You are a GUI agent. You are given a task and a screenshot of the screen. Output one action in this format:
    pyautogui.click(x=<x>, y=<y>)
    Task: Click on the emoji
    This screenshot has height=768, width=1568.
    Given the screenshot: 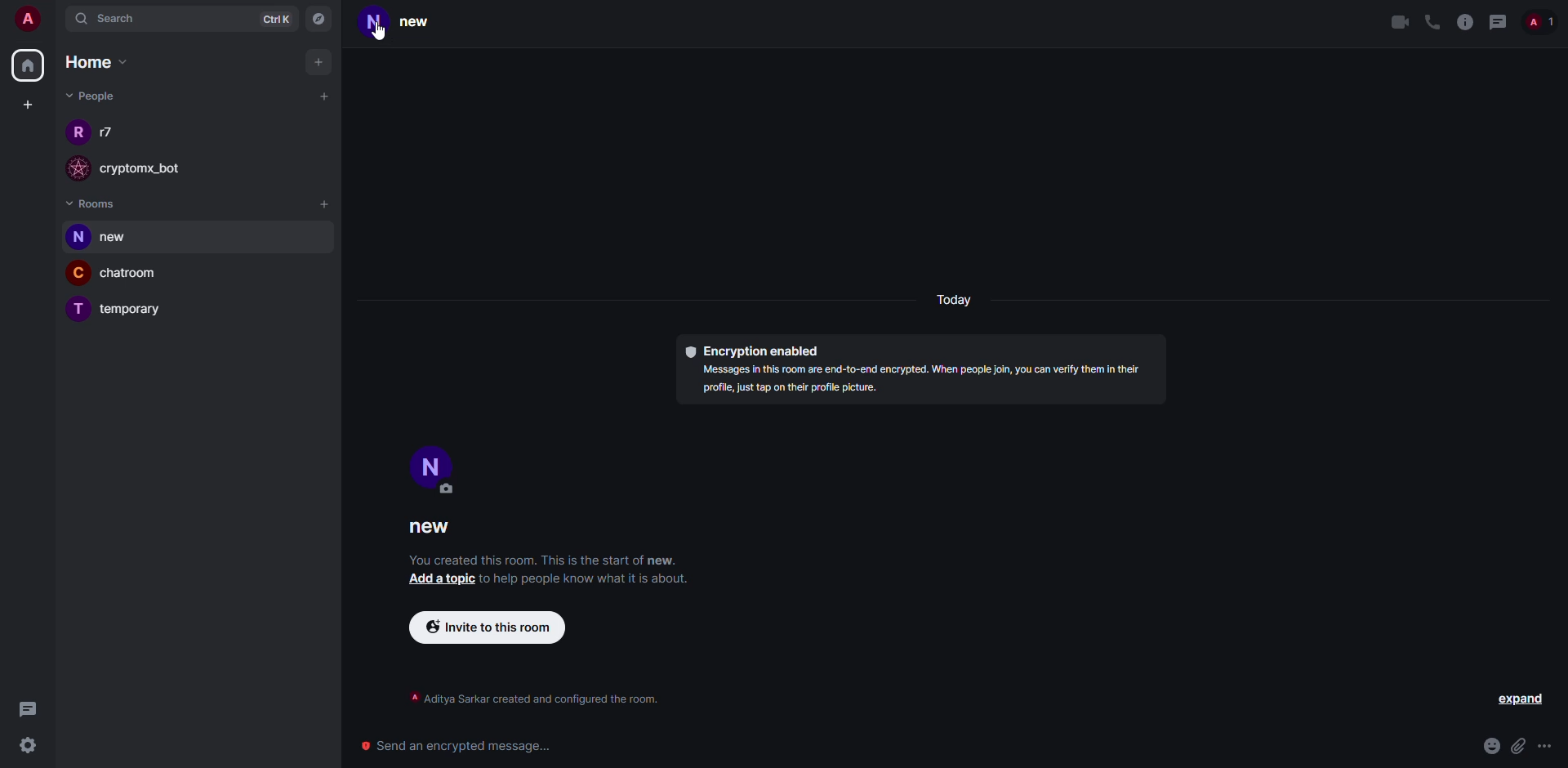 What is the action you would take?
    pyautogui.click(x=1491, y=746)
    